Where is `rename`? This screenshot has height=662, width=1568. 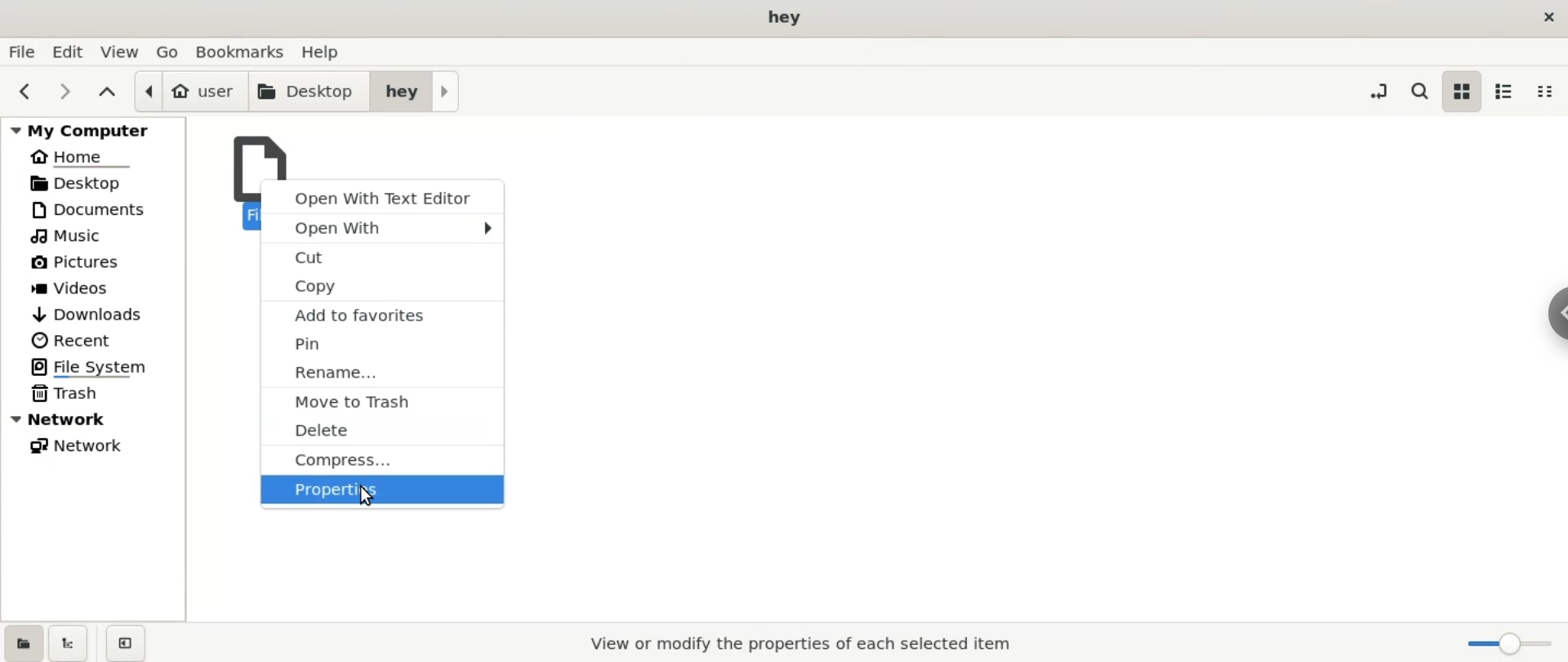
rename is located at coordinates (384, 371).